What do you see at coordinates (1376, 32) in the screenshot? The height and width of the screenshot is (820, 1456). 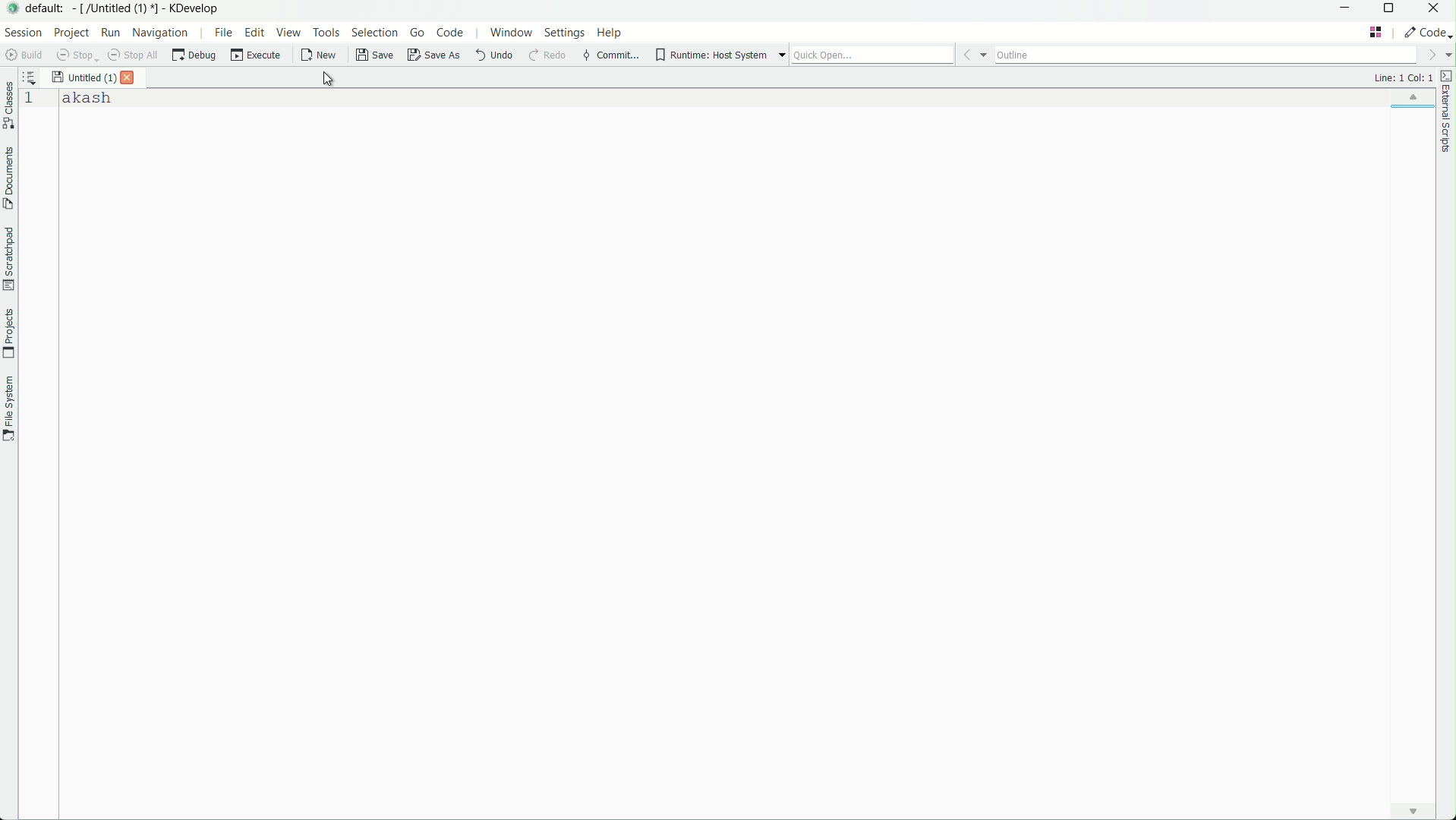 I see `change layout` at bounding box center [1376, 32].